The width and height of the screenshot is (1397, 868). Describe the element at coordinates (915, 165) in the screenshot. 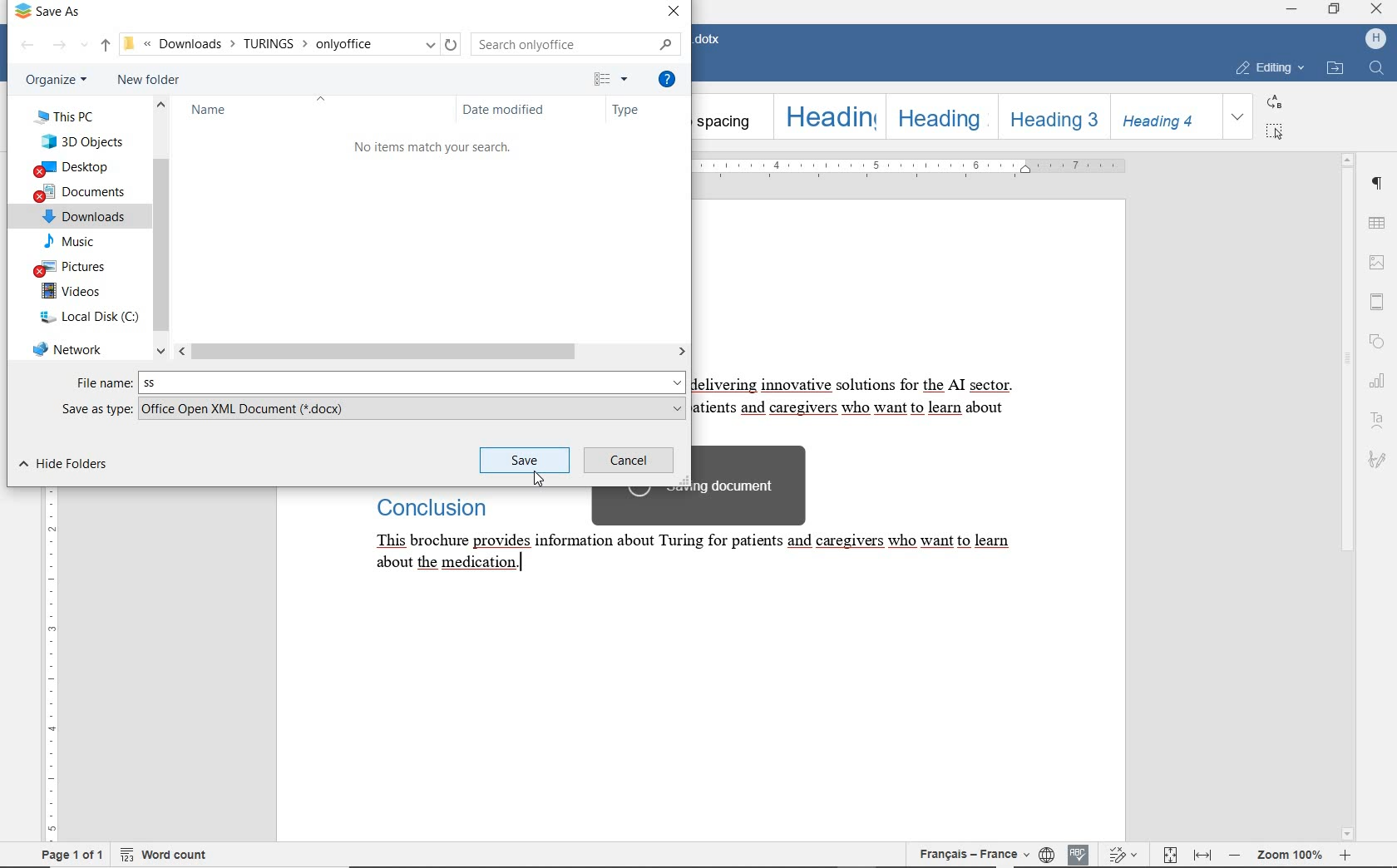

I see `RULER` at that location.